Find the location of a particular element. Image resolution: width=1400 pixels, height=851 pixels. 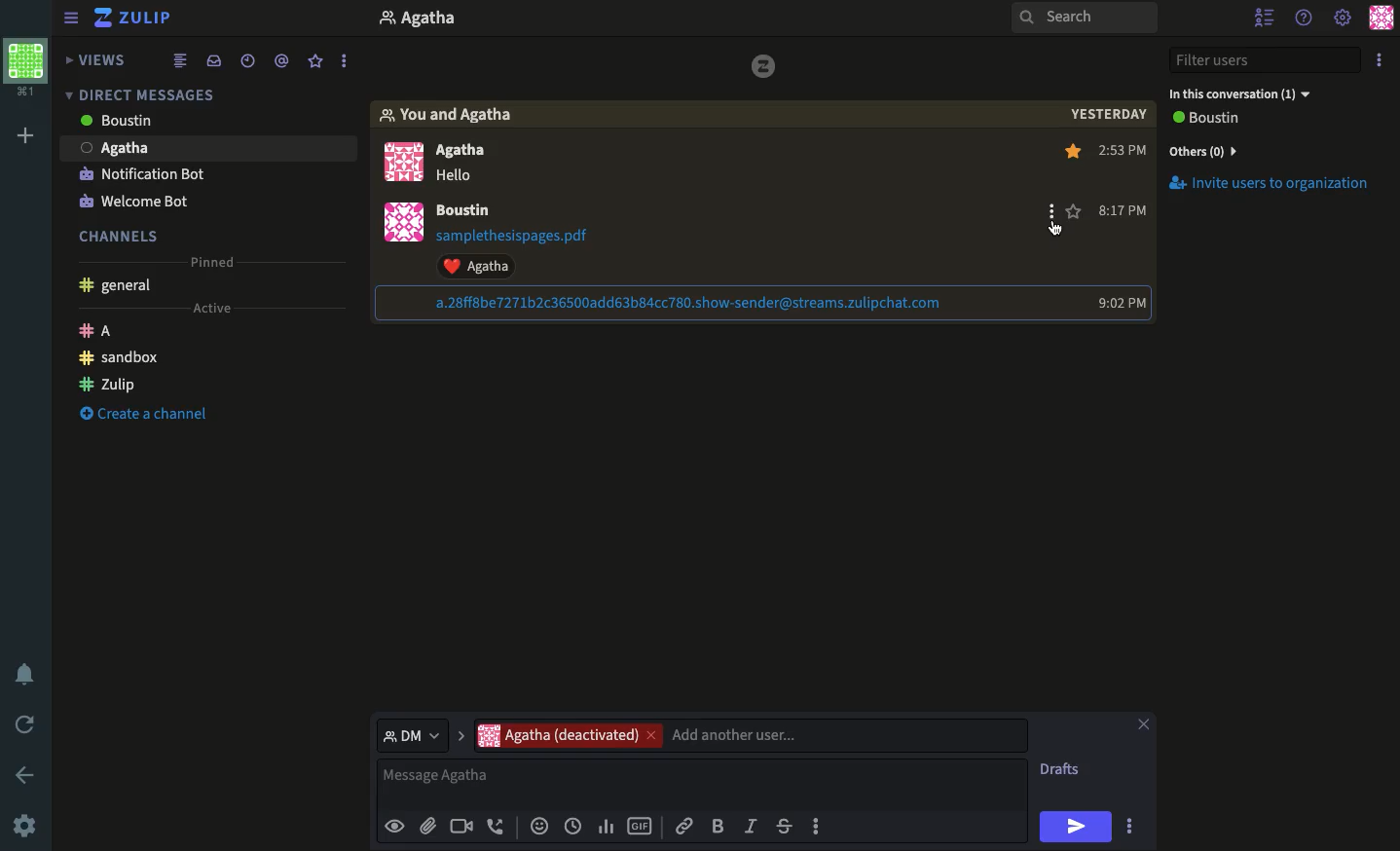

user is located at coordinates (470, 211).